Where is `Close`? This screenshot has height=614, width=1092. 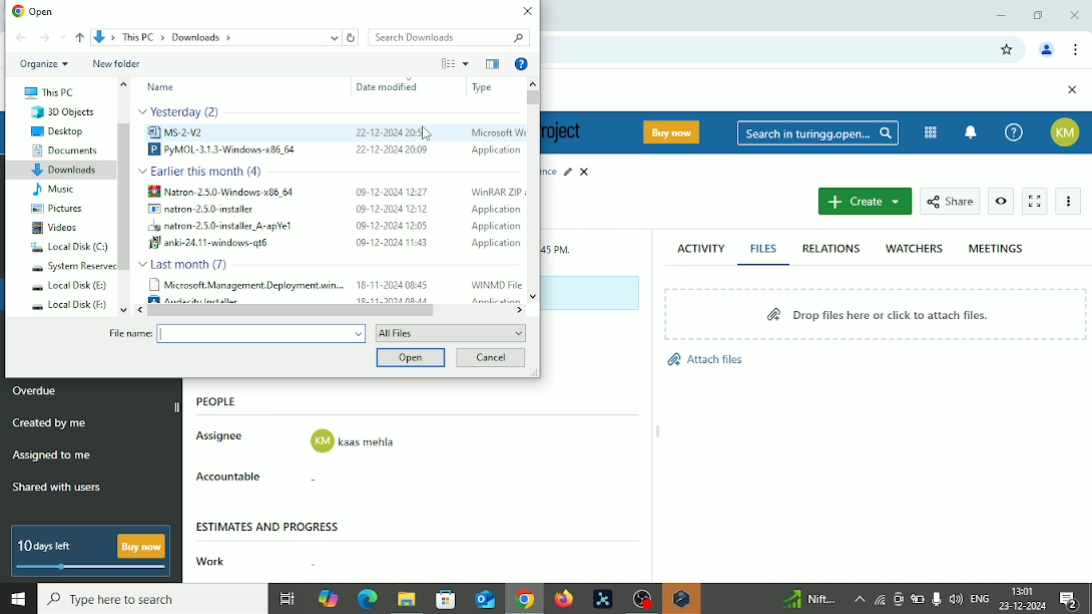
Close is located at coordinates (1072, 91).